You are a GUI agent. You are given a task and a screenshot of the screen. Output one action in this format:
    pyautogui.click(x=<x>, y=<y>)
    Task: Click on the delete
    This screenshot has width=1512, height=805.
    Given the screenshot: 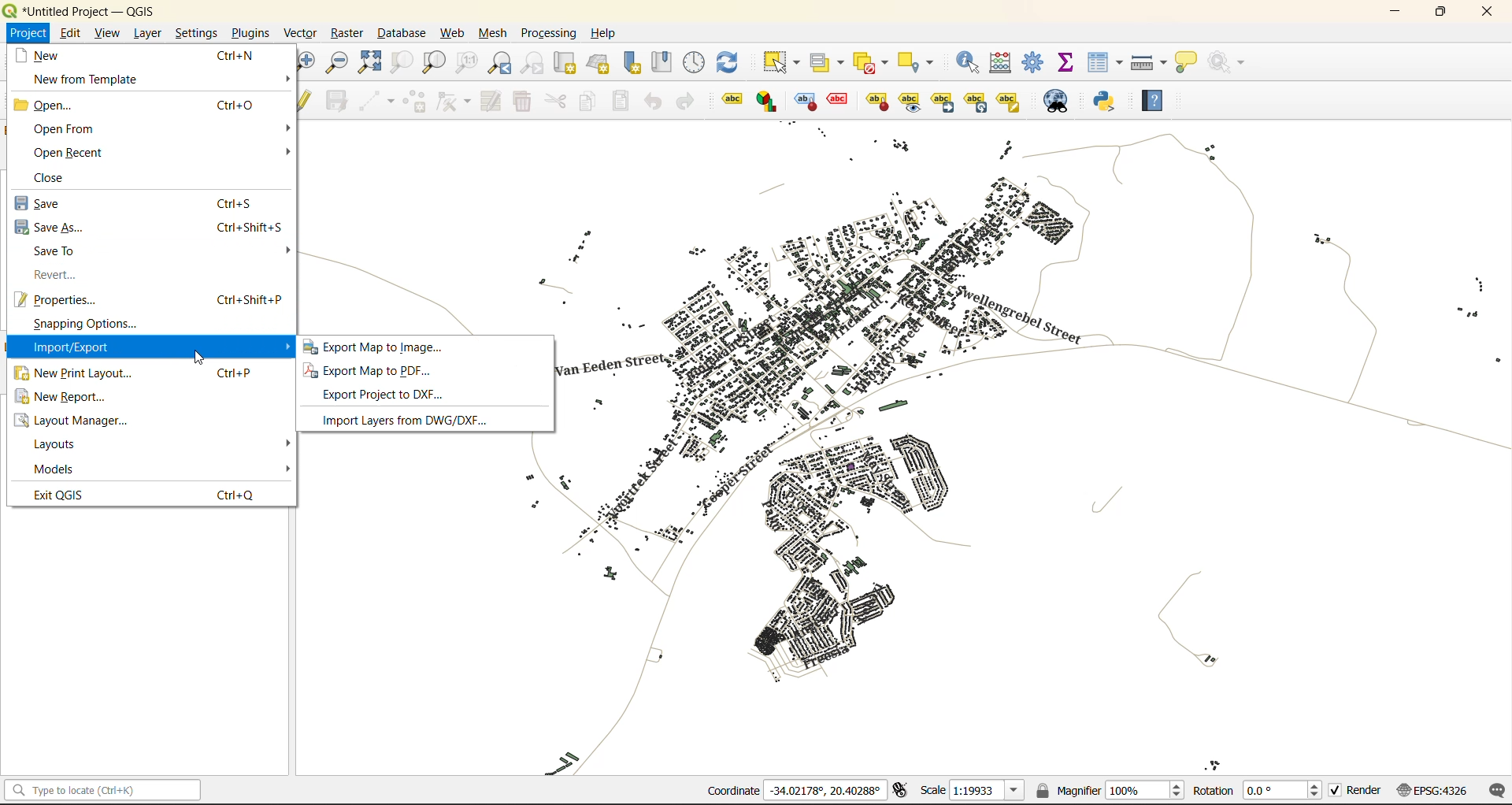 What is the action you would take?
    pyautogui.click(x=521, y=104)
    